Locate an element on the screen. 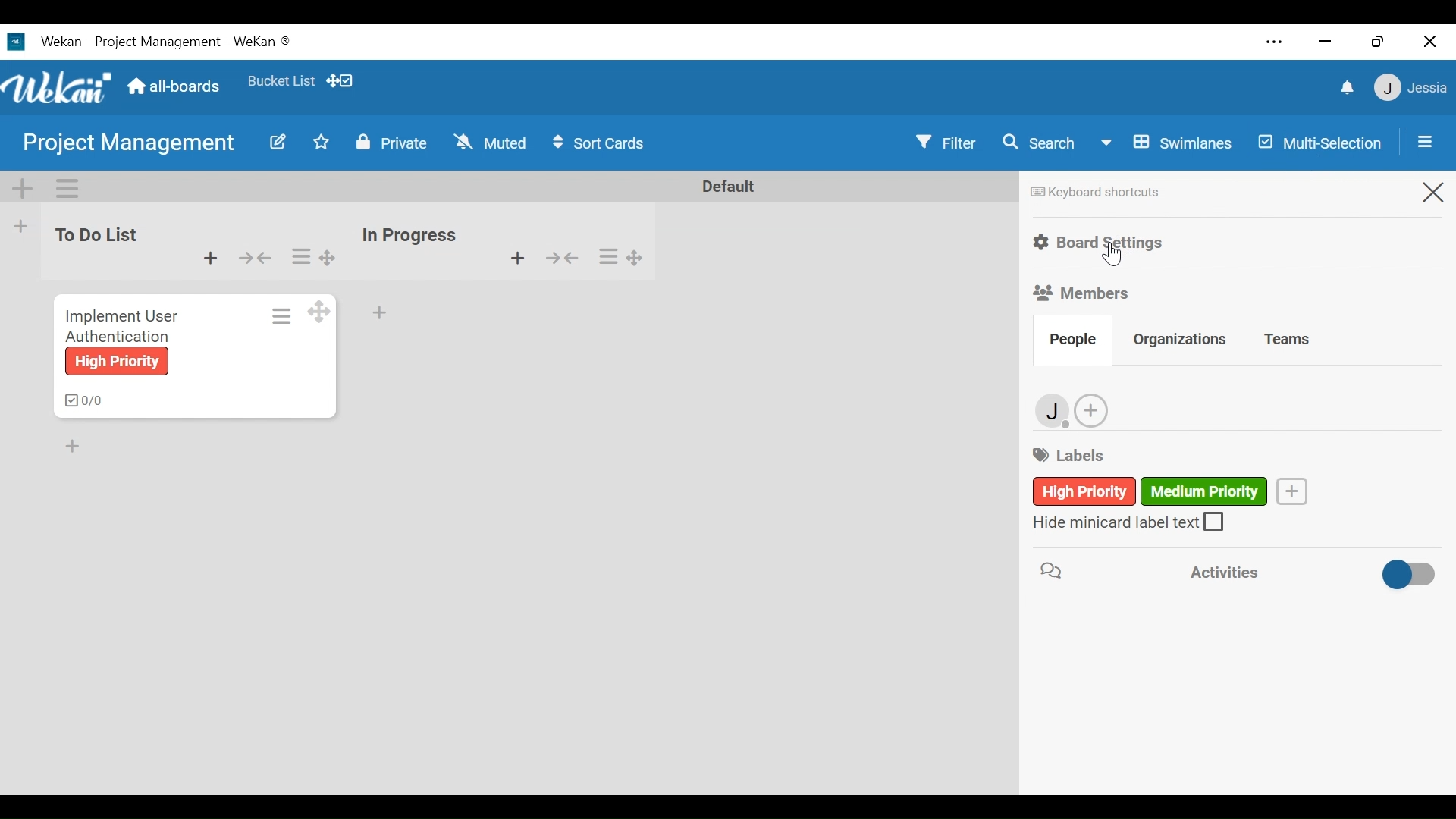 This screenshot has height=819, width=1456. Private is located at coordinates (390, 141).